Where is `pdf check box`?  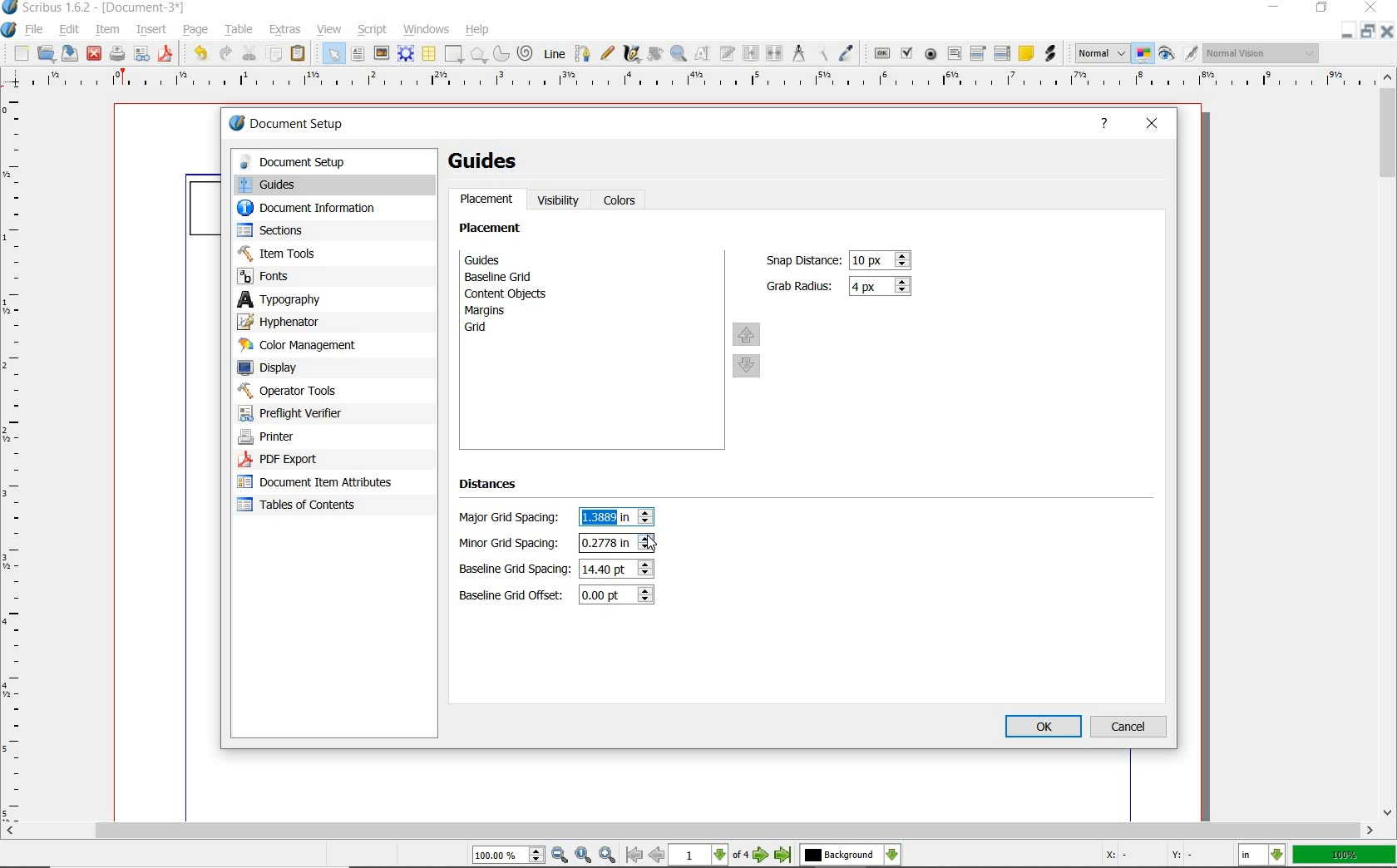
pdf check box is located at coordinates (906, 52).